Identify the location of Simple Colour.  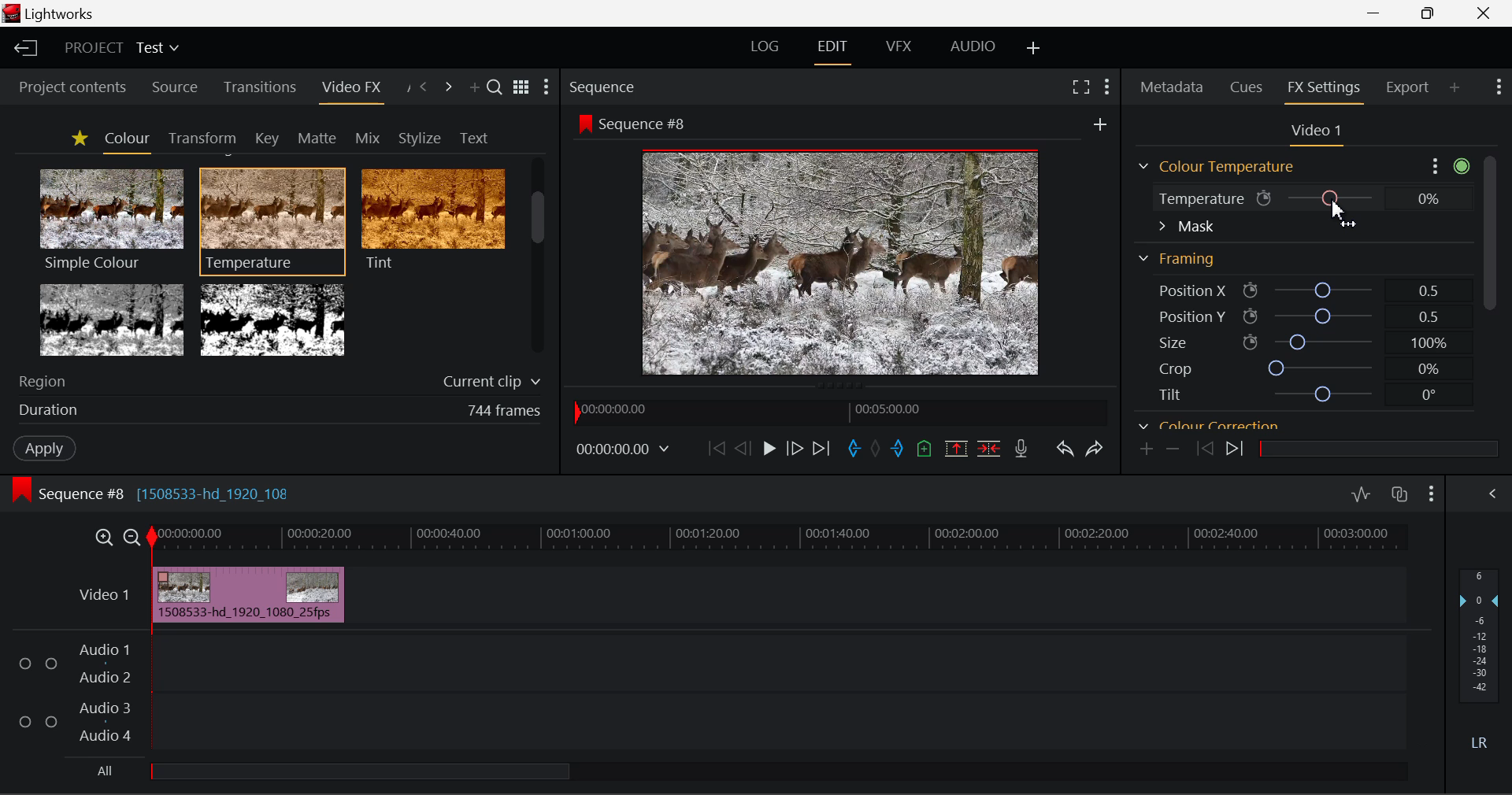
(110, 219).